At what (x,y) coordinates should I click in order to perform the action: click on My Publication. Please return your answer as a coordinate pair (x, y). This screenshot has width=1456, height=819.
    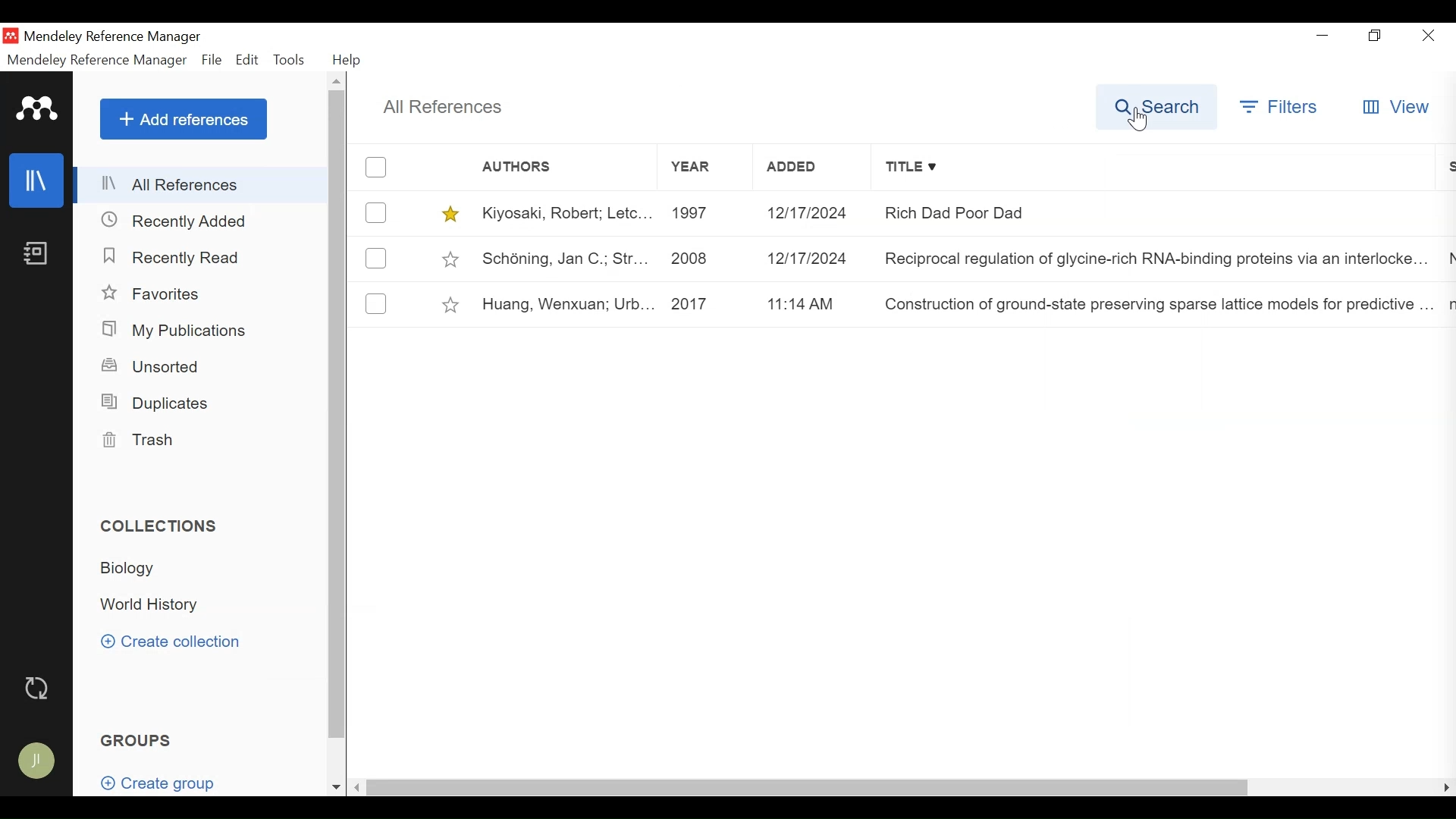
    Looking at the image, I should click on (178, 330).